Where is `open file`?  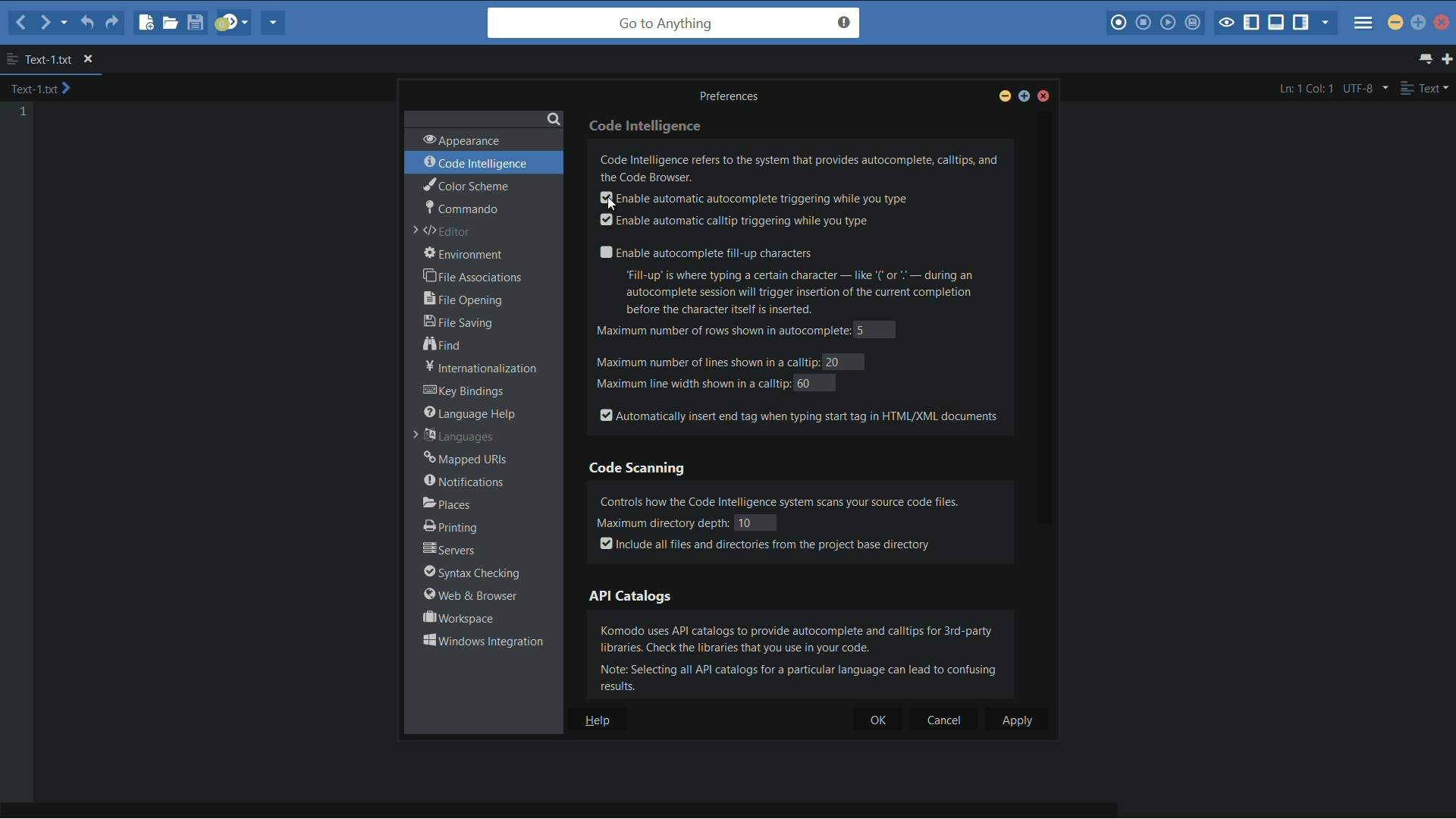
open file is located at coordinates (172, 22).